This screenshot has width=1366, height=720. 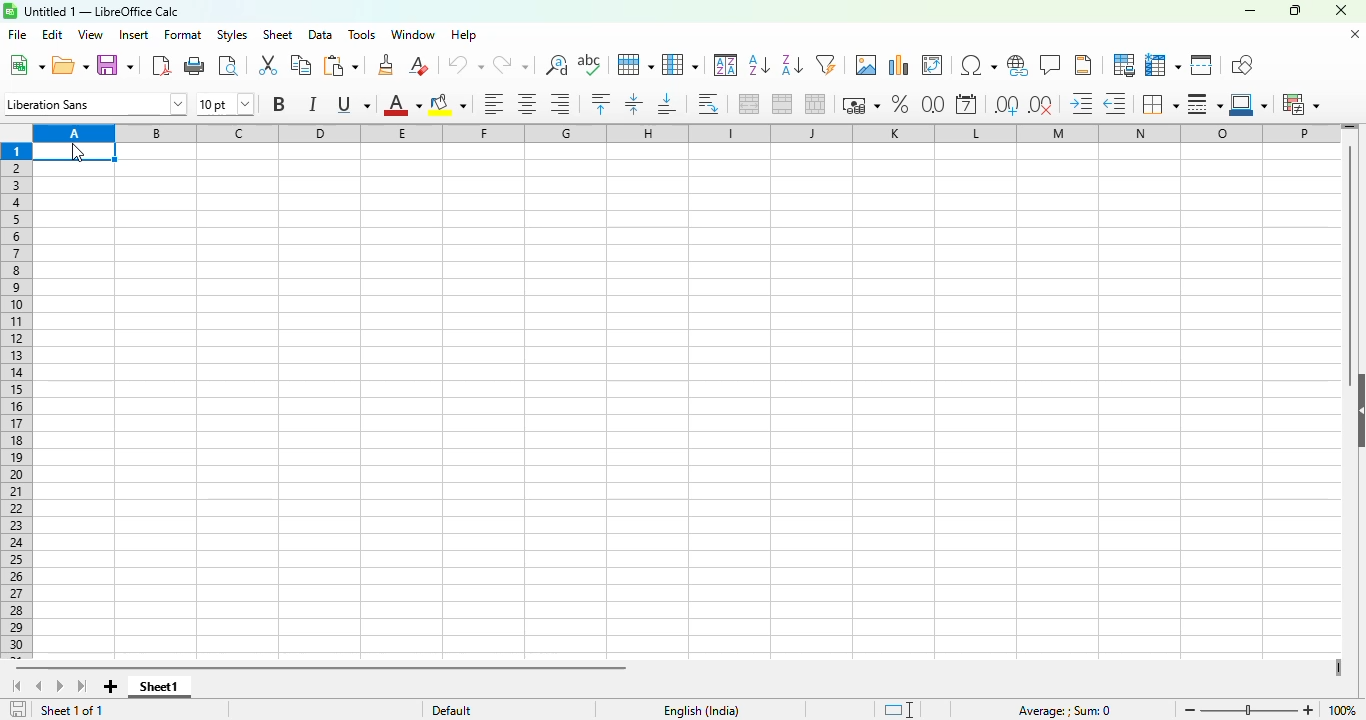 I want to click on merge cells, so click(x=783, y=104).